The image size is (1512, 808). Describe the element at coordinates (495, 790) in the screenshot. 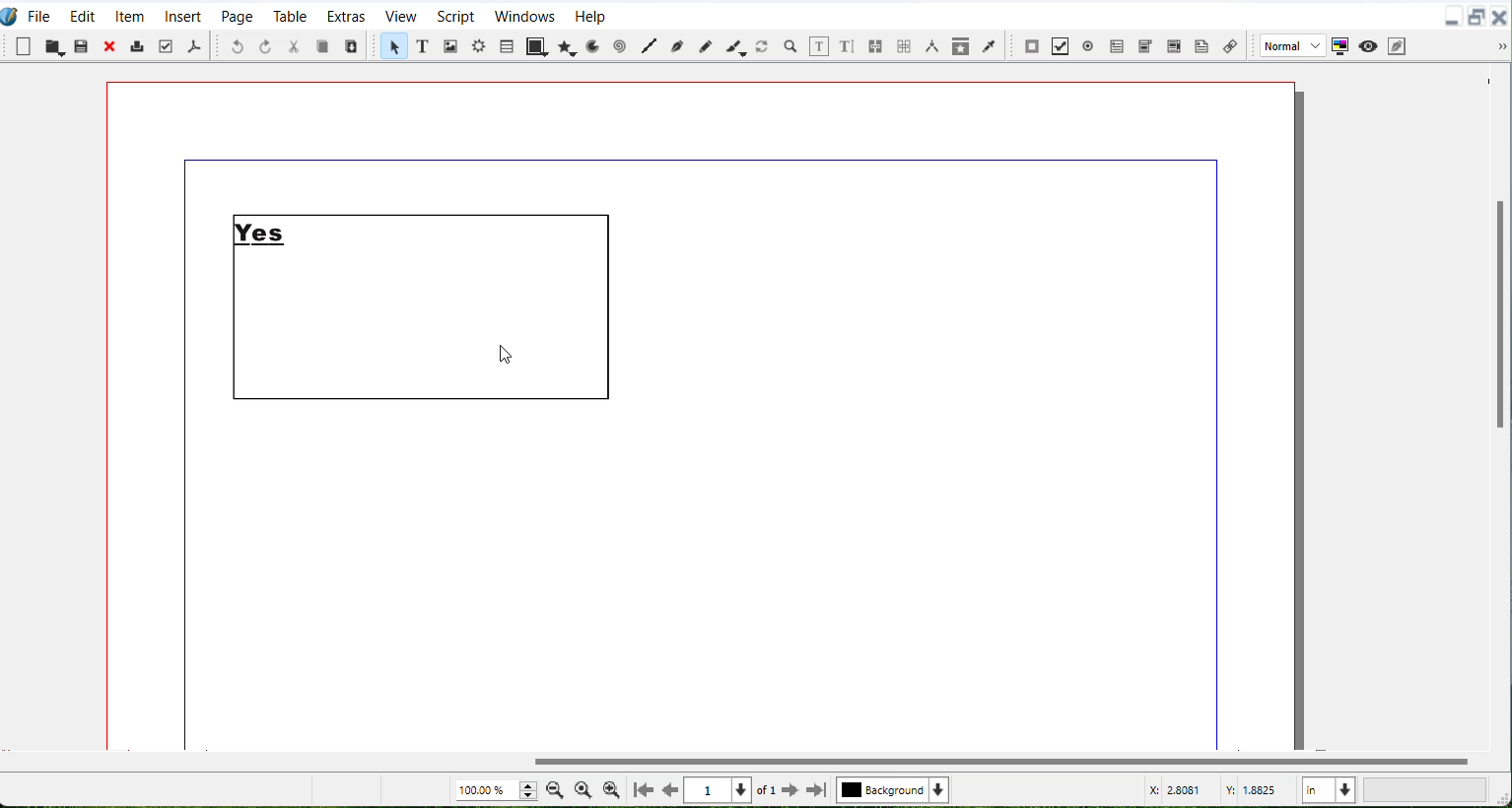

I see `Zoom adjuster` at that location.